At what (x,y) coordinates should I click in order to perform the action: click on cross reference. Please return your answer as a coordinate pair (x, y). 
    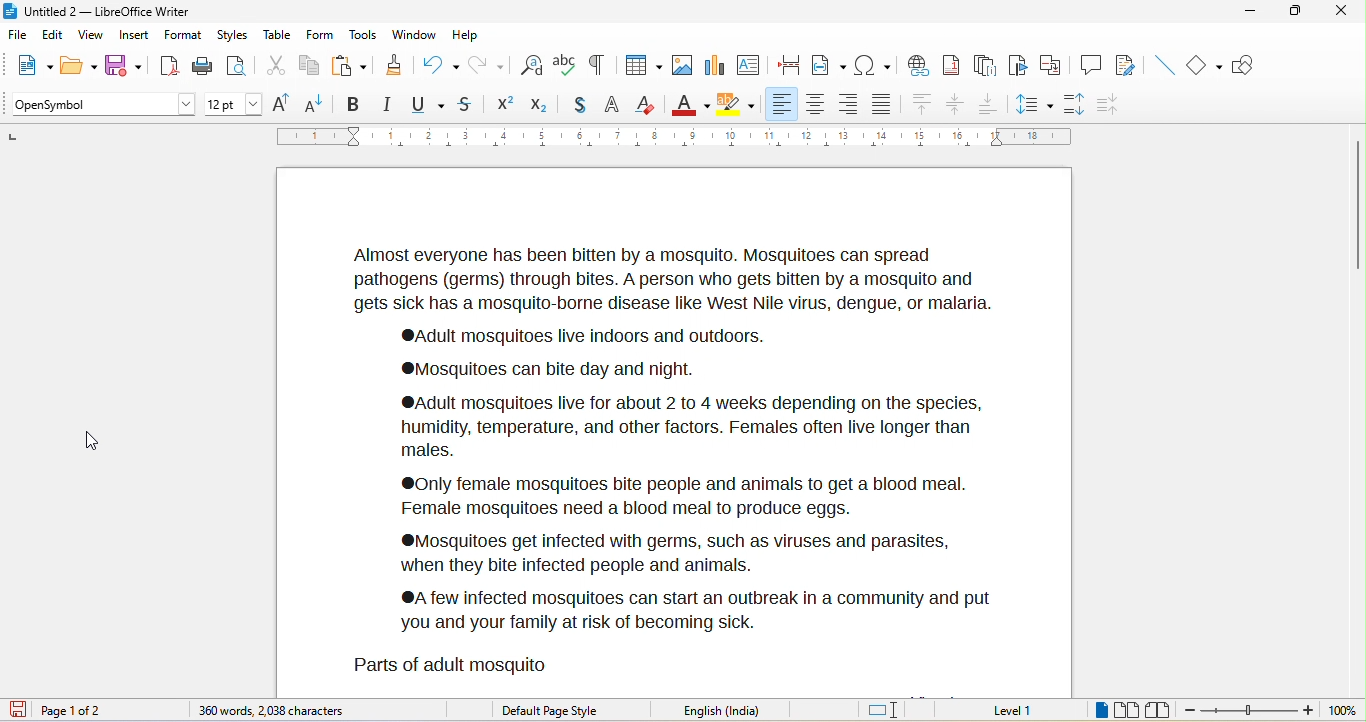
    Looking at the image, I should click on (1051, 65).